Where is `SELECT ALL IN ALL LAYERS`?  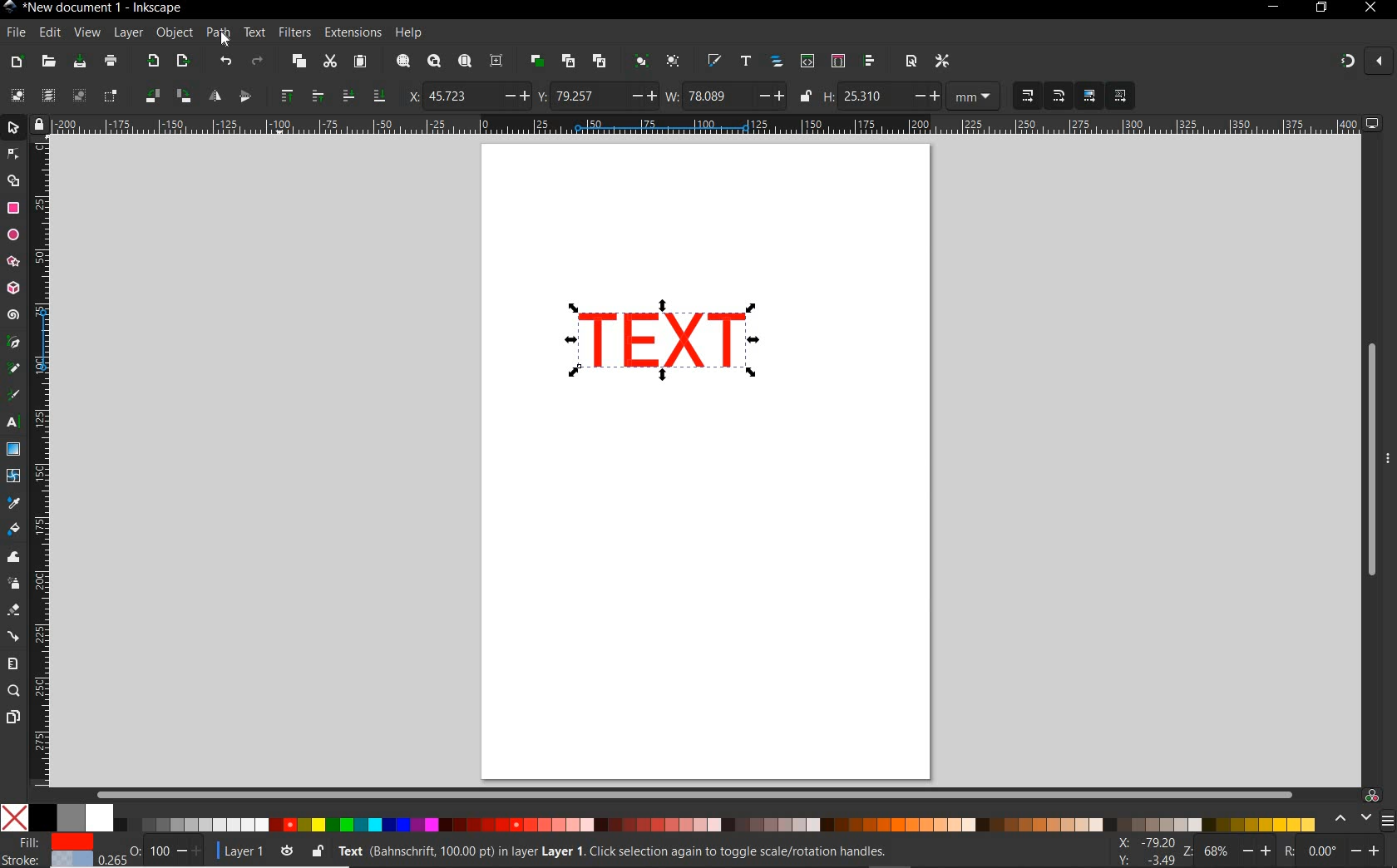
SELECT ALL IN ALL LAYERS is located at coordinates (47, 96).